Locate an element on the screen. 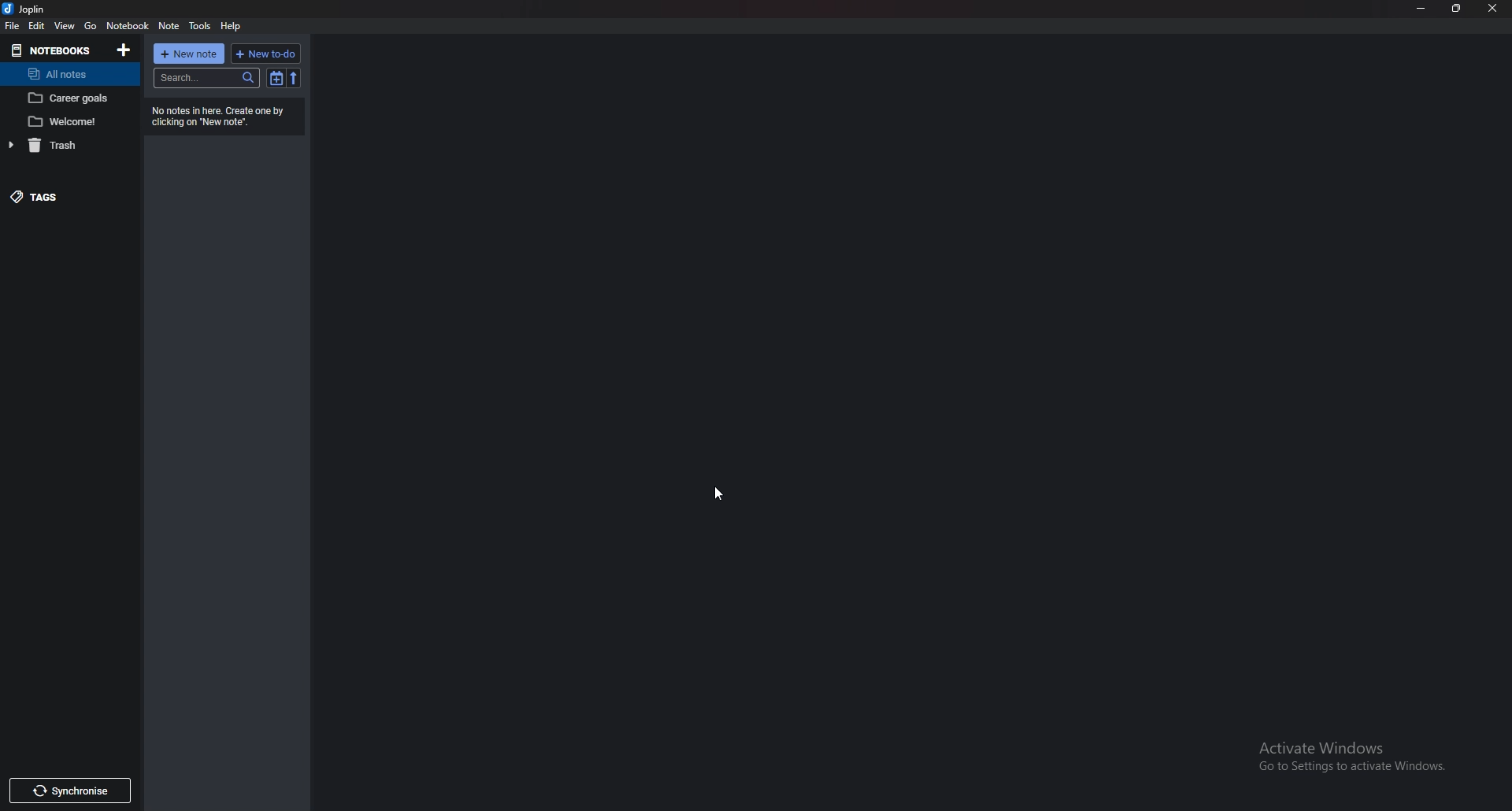  help is located at coordinates (232, 26).